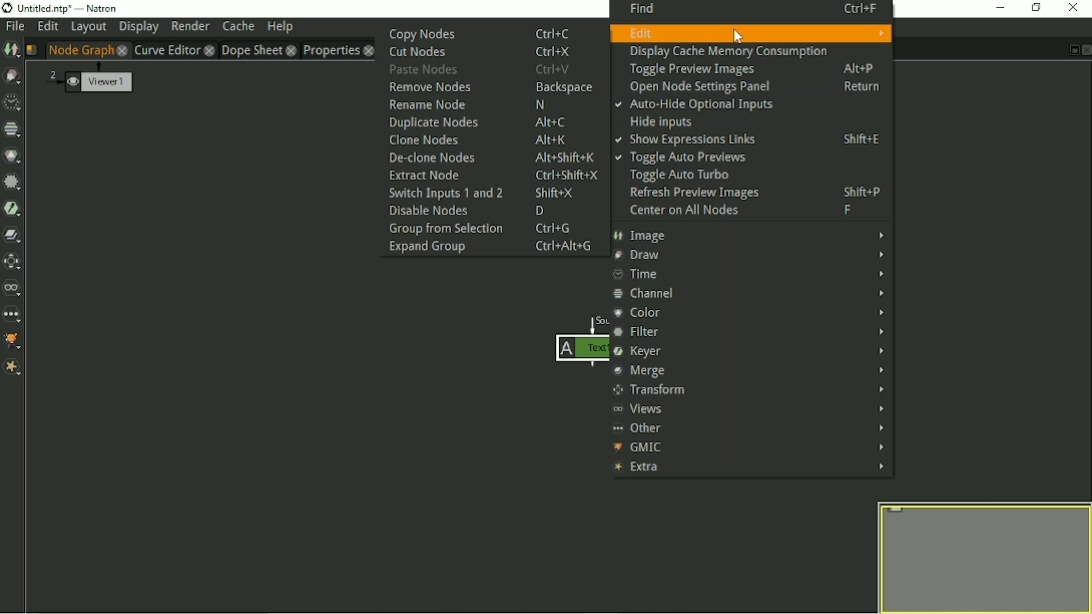 This screenshot has width=1092, height=614. Describe the element at coordinates (14, 314) in the screenshot. I see `Other` at that location.